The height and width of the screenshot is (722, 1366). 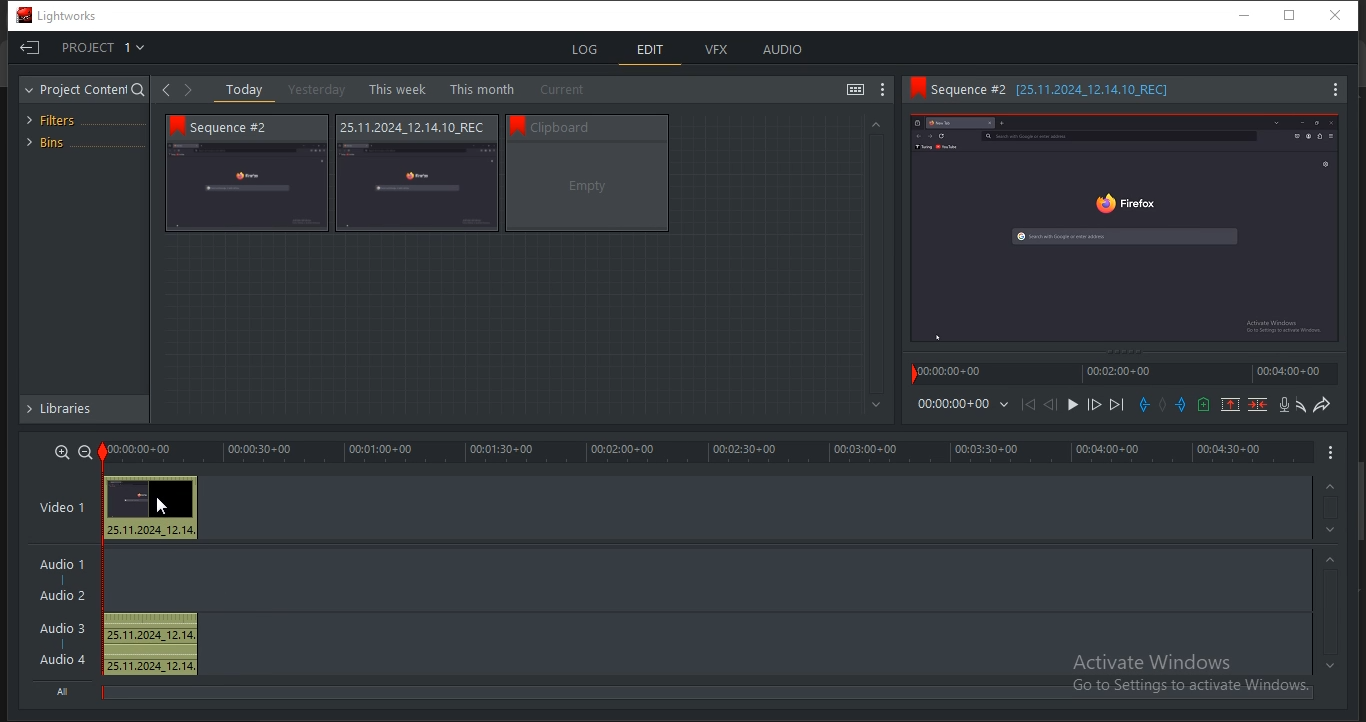 What do you see at coordinates (245, 90) in the screenshot?
I see `today` at bounding box center [245, 90].